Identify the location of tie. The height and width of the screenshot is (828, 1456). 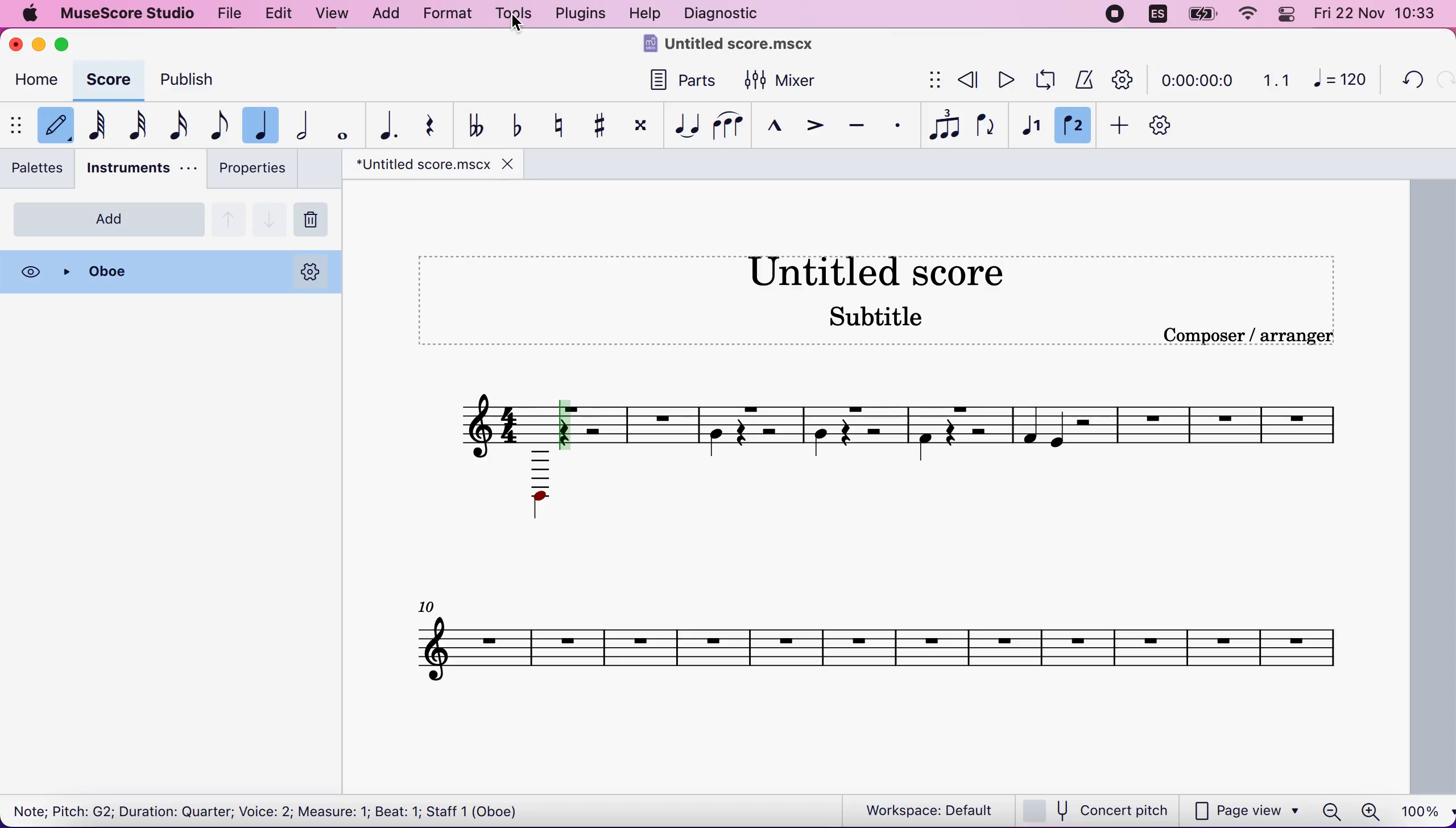
(690, 125).